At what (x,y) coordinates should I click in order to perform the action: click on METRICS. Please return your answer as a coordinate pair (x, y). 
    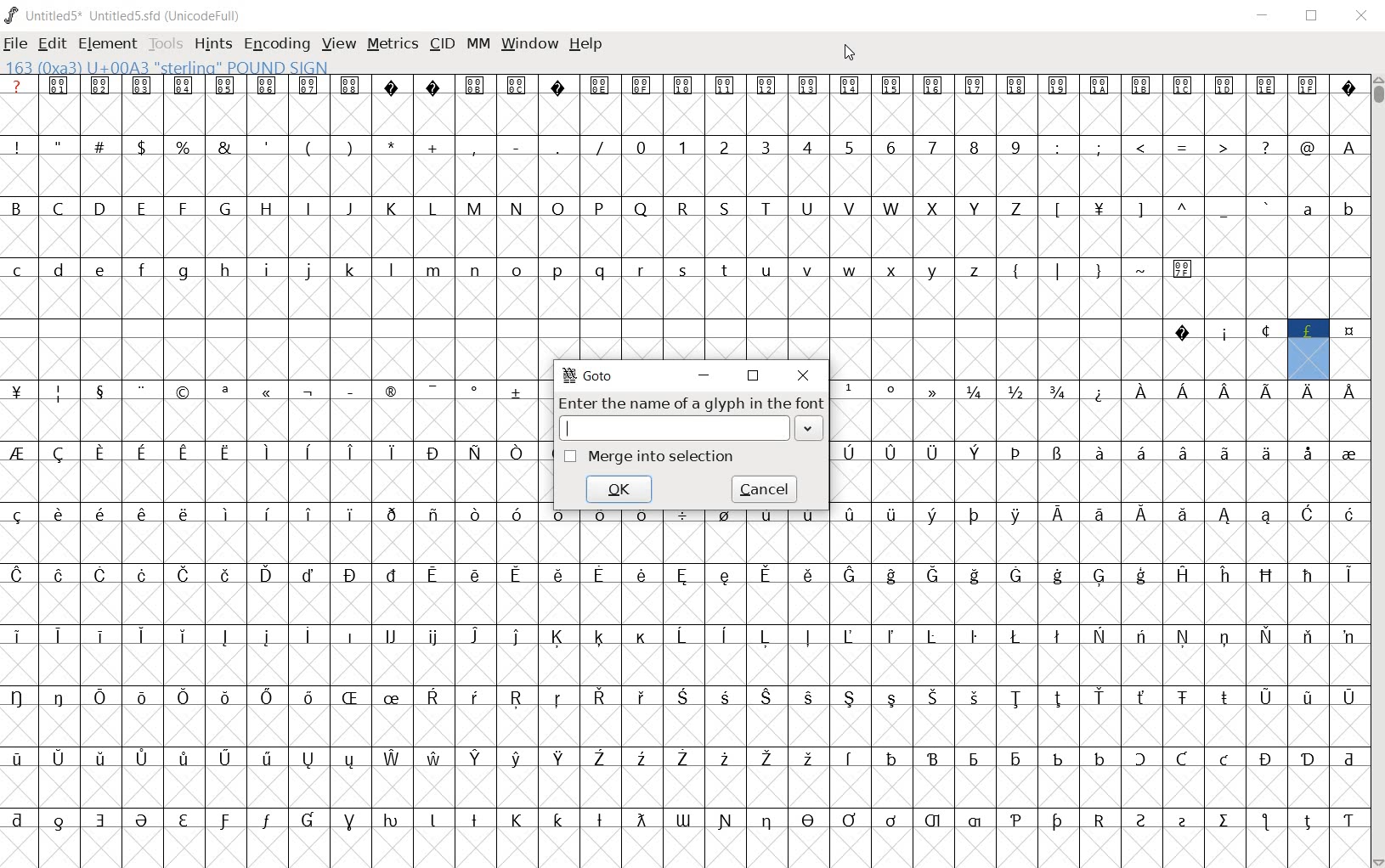
    Looking at the image, I should click on (392, 43).